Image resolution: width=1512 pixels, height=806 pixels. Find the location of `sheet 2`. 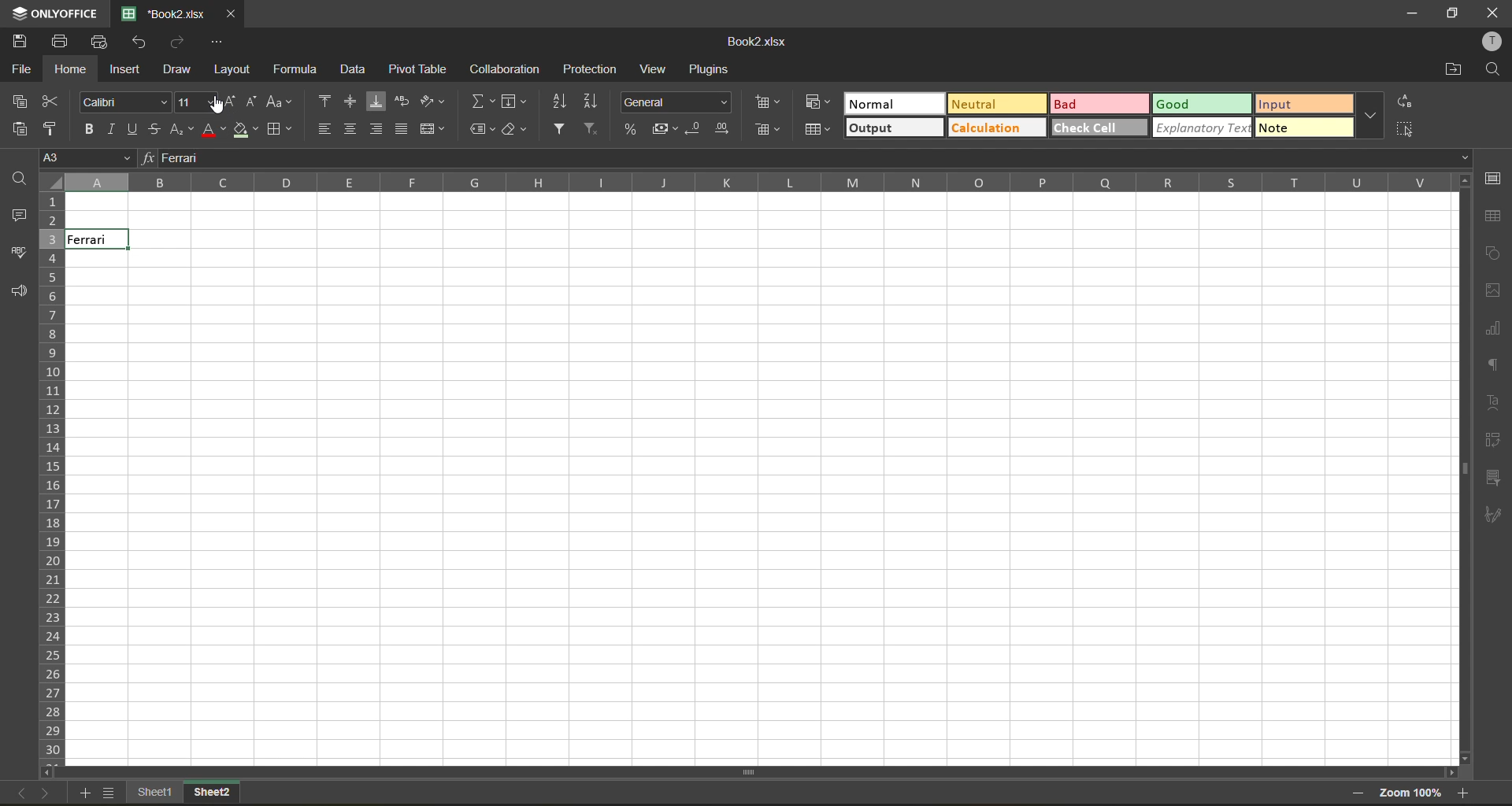

sheet 2 is located at coordinates (228, 796).